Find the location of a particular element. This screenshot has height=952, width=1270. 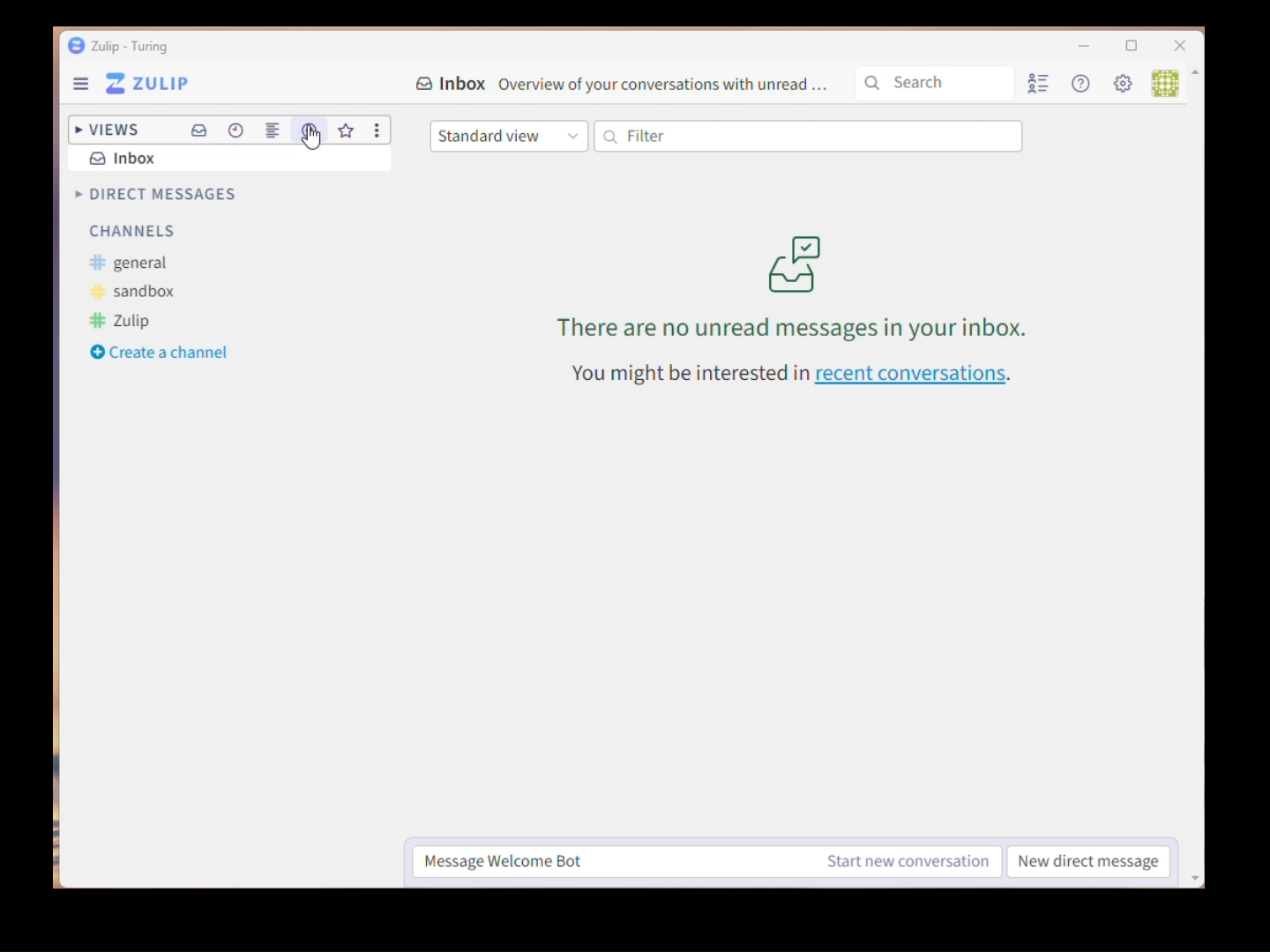

Schedule is located at coordinates (238, 129).